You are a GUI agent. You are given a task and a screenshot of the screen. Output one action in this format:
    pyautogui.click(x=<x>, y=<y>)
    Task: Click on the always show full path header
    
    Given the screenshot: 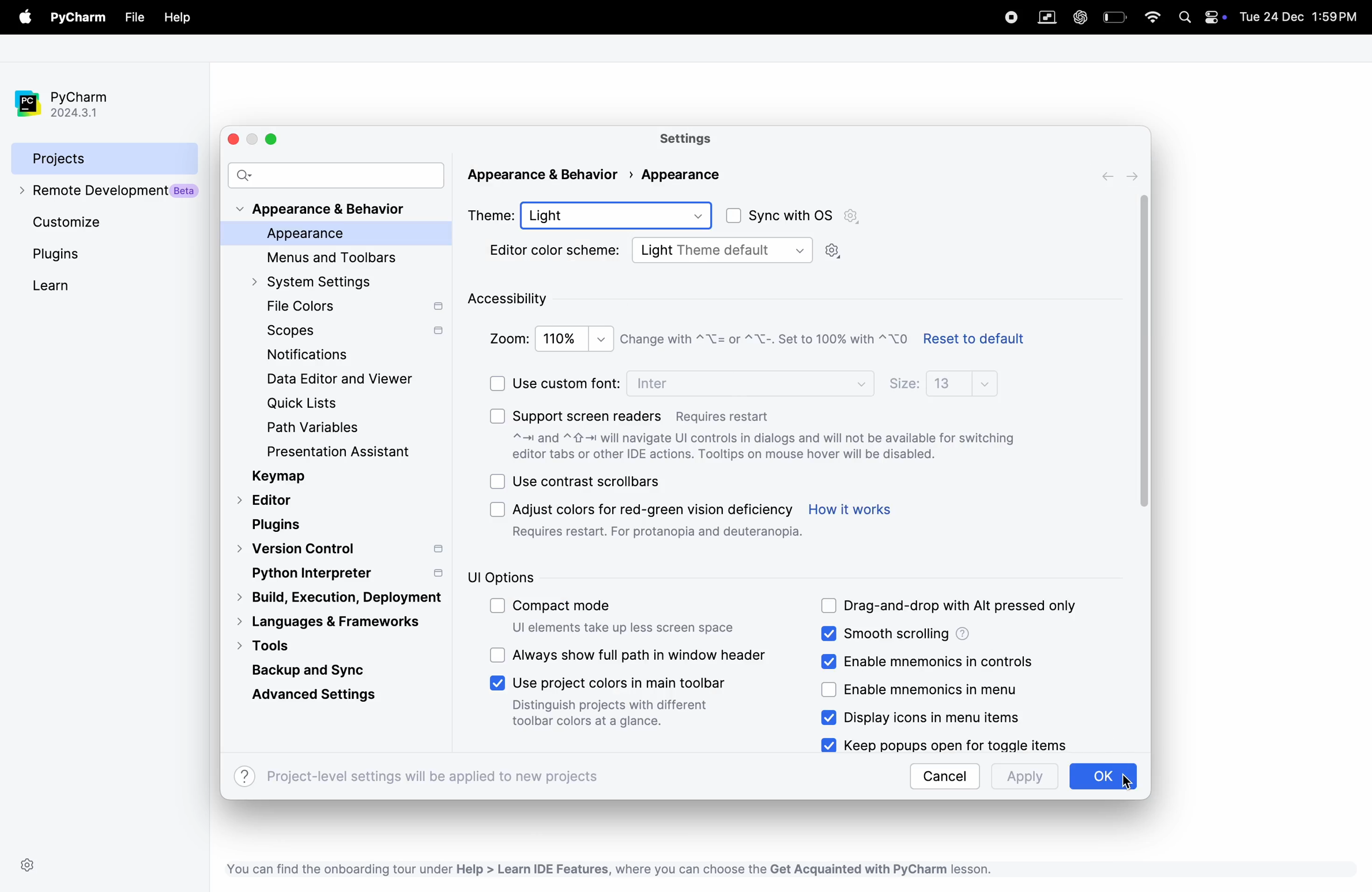 What is the action you would take?
    pyautogui.click(x=645, y=655)
    